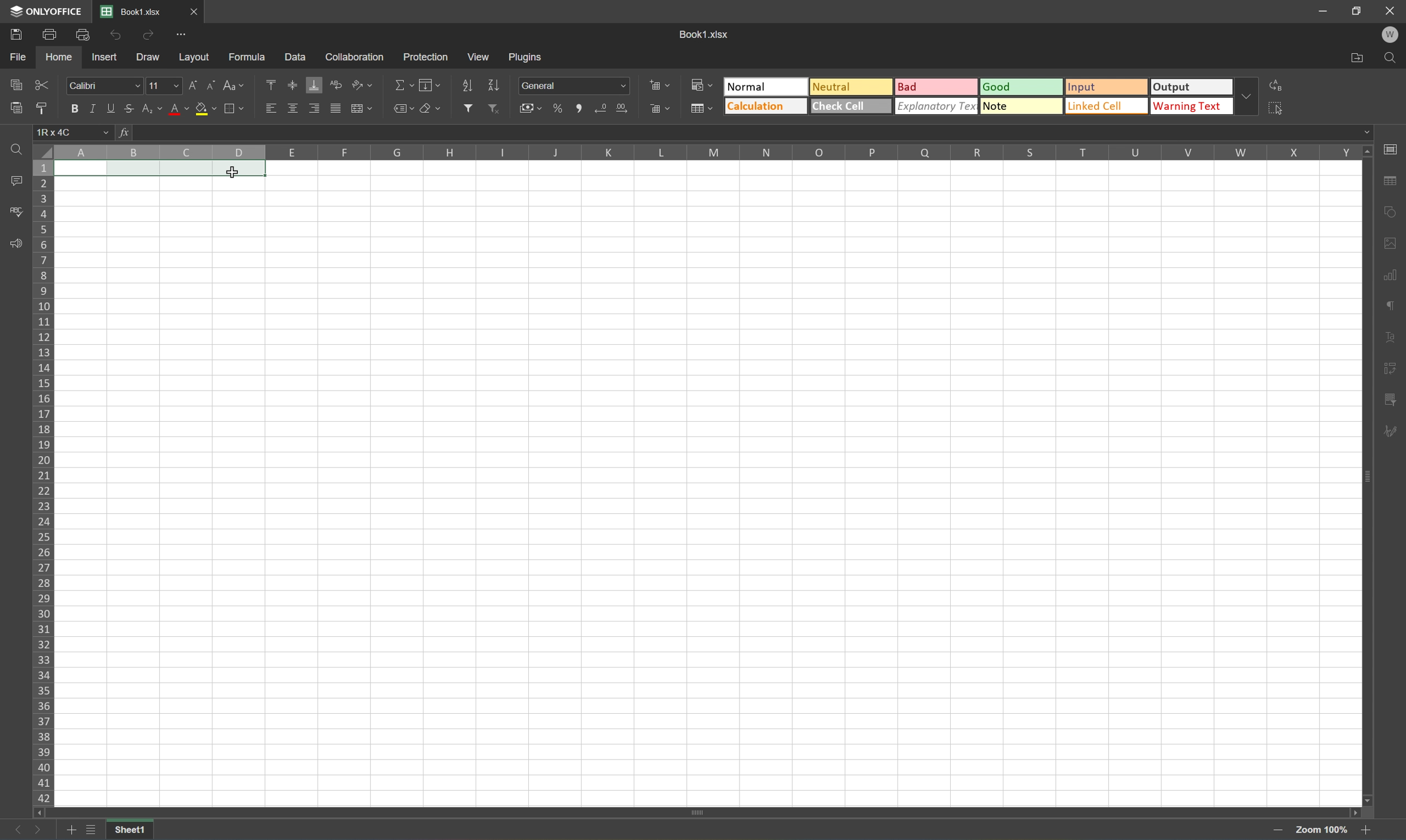 The height and width of the screenshot is (840, 1406). I want to click on Spell checking, so click(14, 212).